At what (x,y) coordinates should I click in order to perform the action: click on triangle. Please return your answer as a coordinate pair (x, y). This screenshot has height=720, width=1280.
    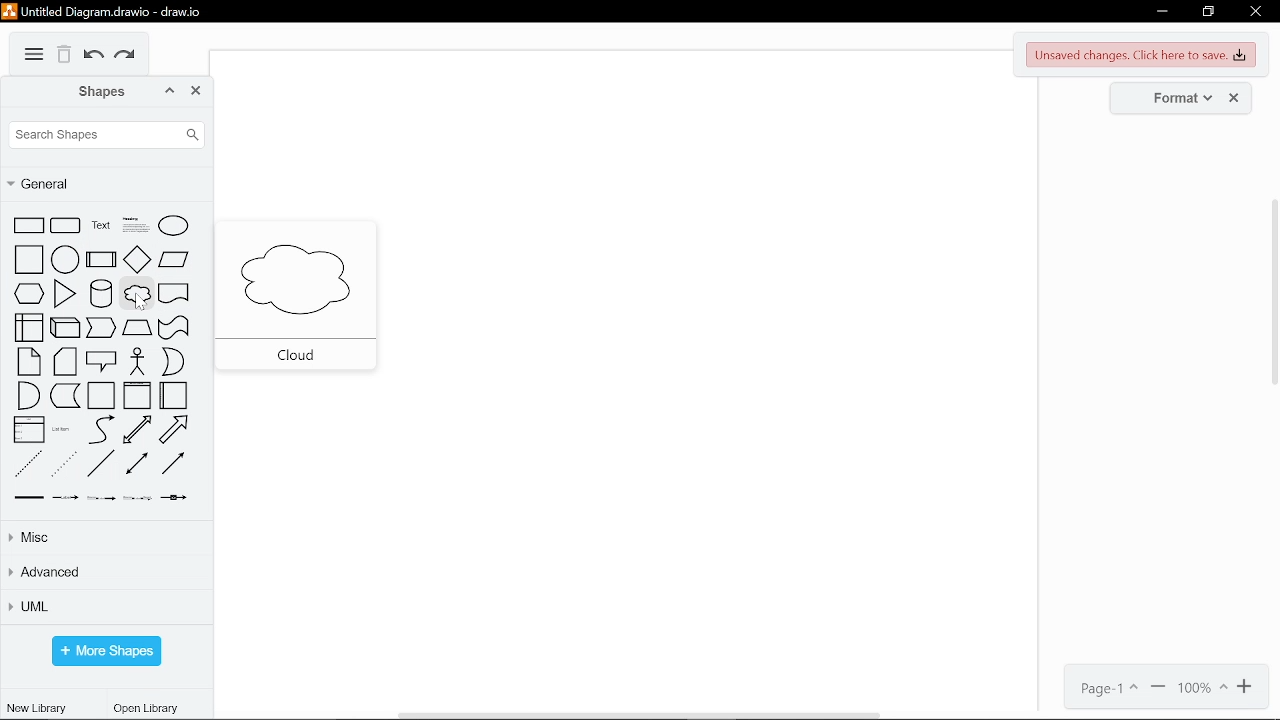
    Looking at the image, I should click on (63, 293).